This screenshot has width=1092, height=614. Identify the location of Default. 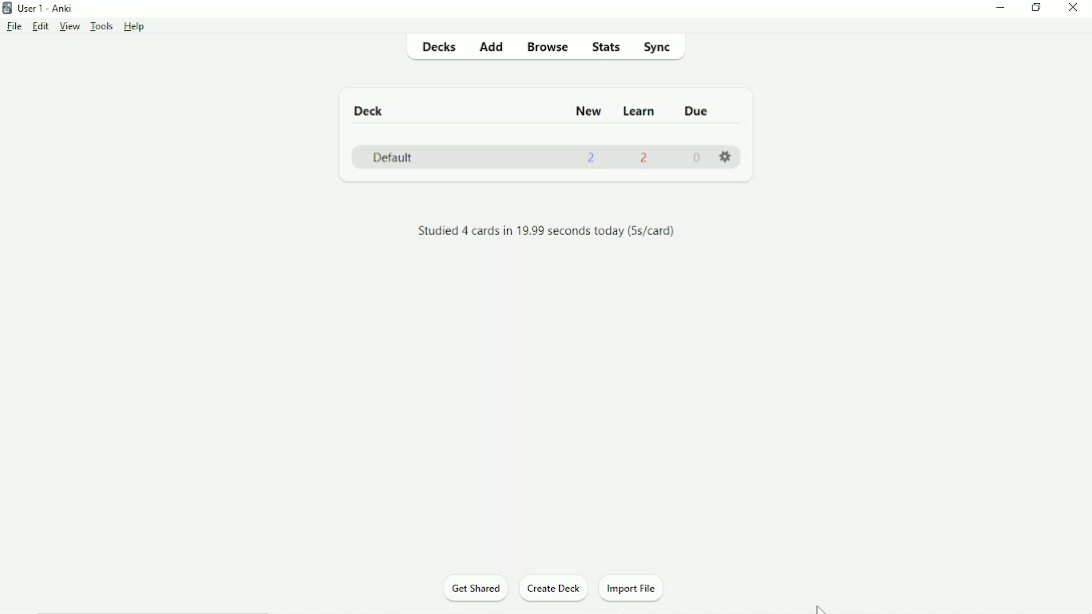
(393, 157).